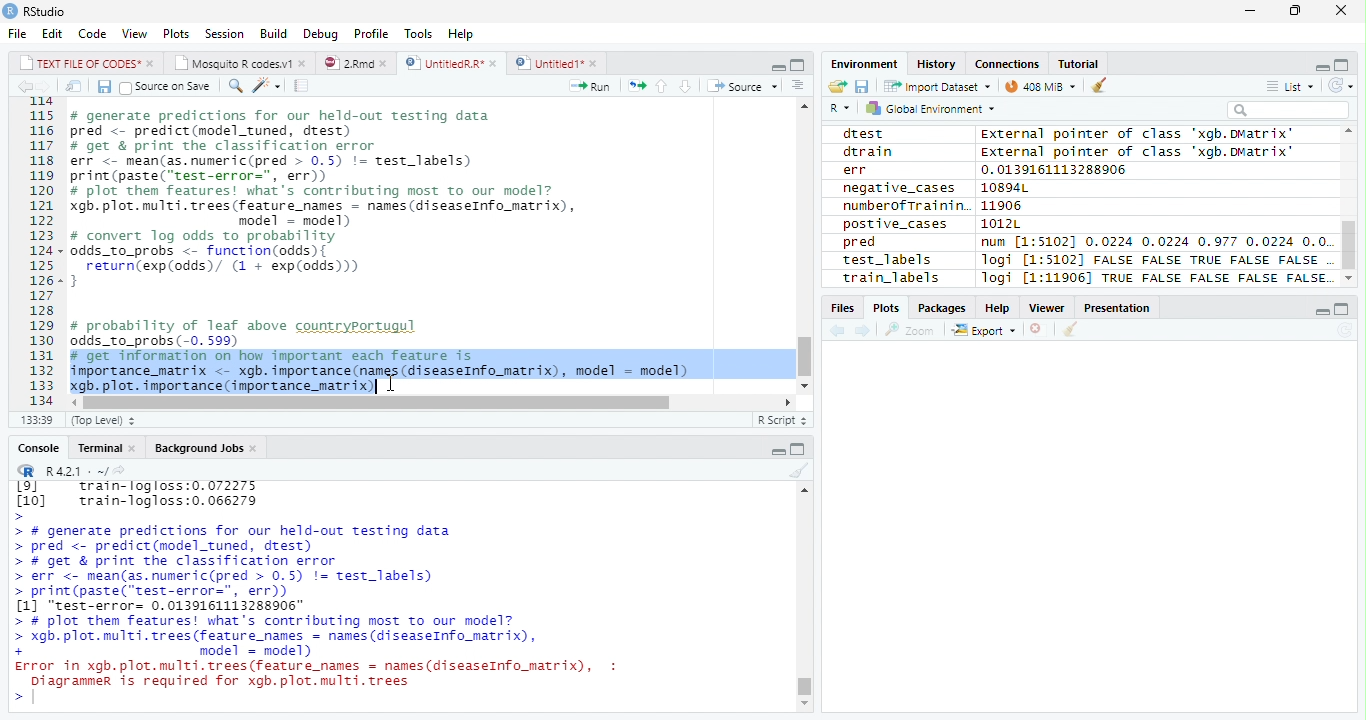  I want to click on Session, so click(225, 33).